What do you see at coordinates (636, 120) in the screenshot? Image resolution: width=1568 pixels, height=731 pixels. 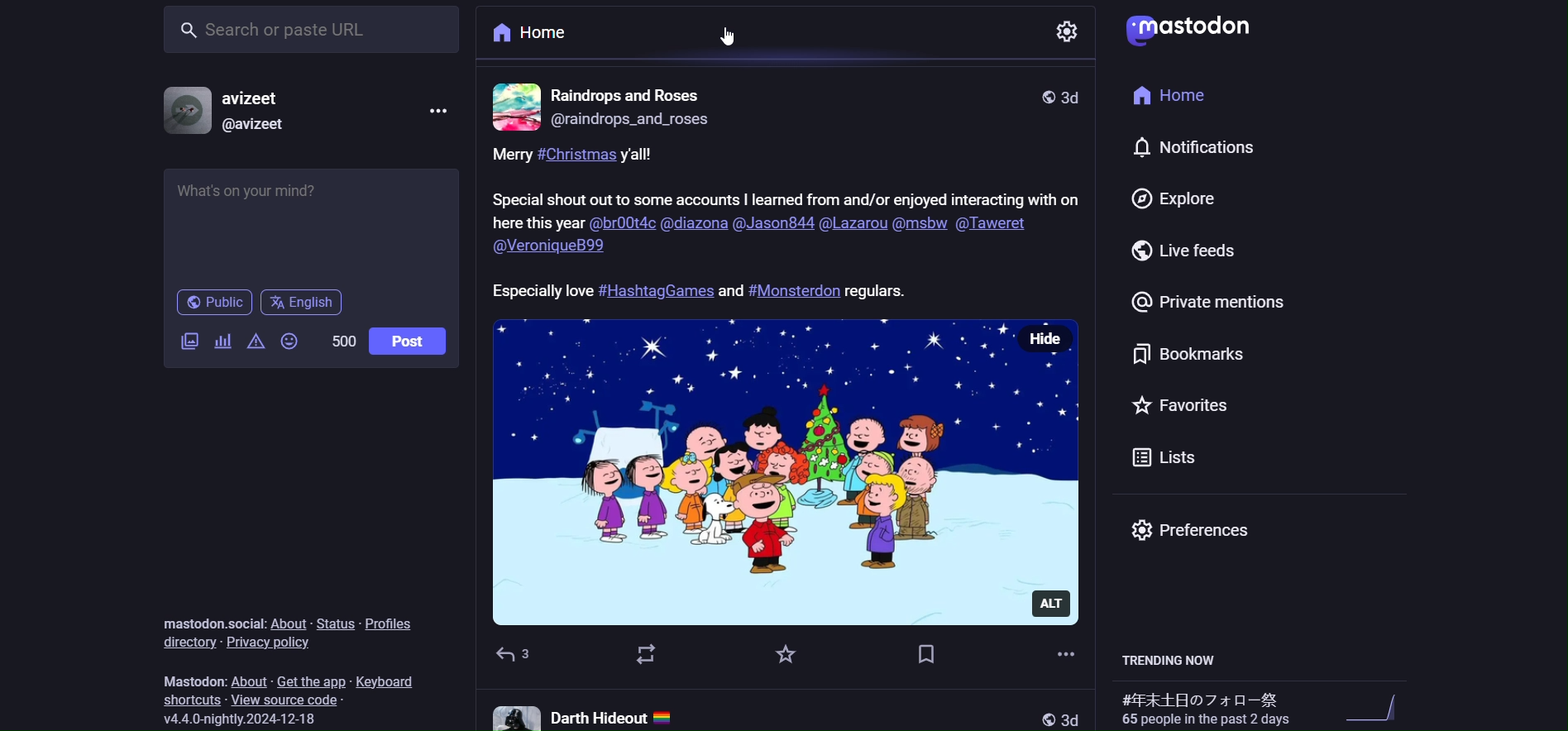 I see `id` at bounding box center [636, 120].